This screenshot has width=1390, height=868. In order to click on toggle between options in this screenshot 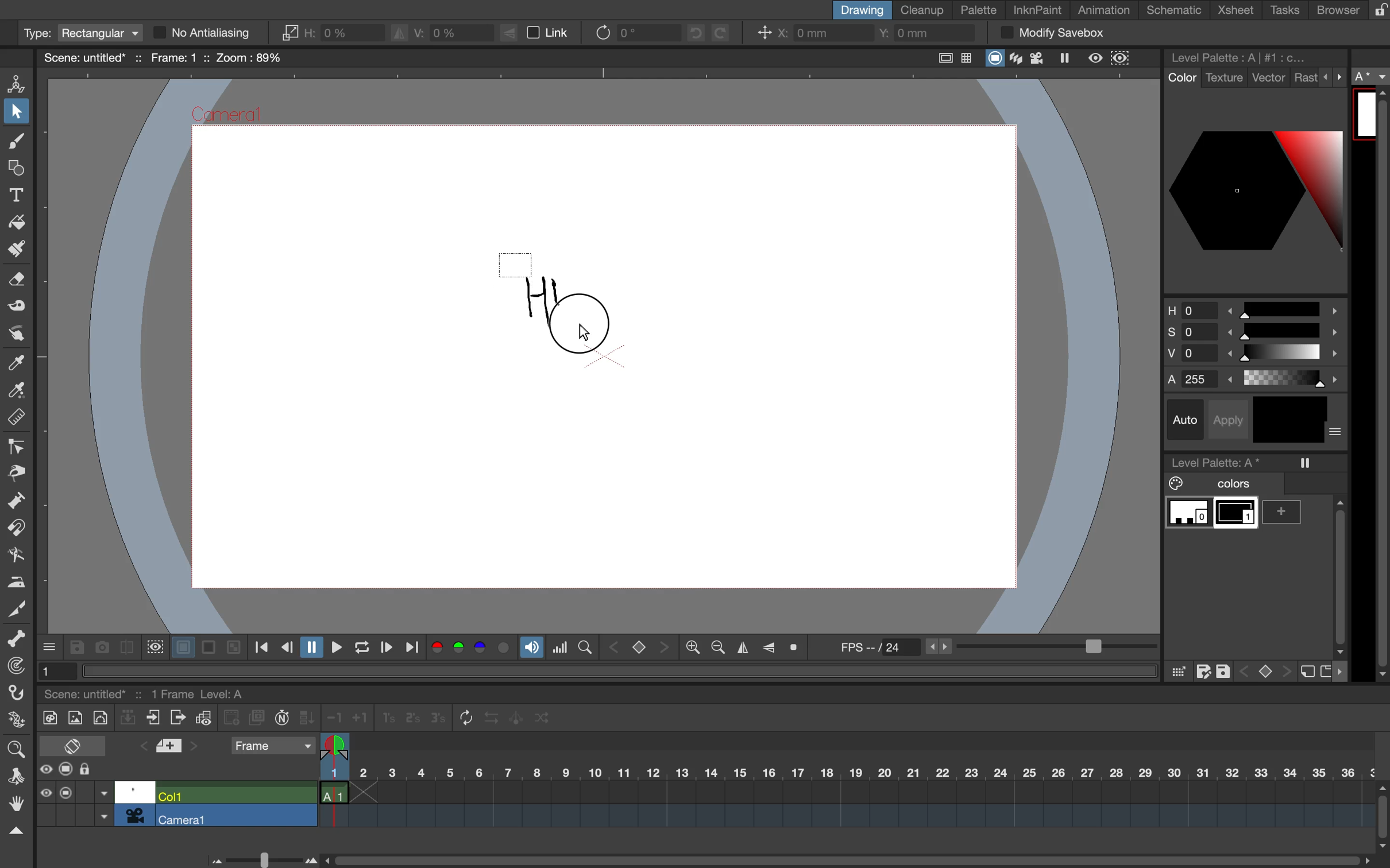, I will do `click(104, 806)`.